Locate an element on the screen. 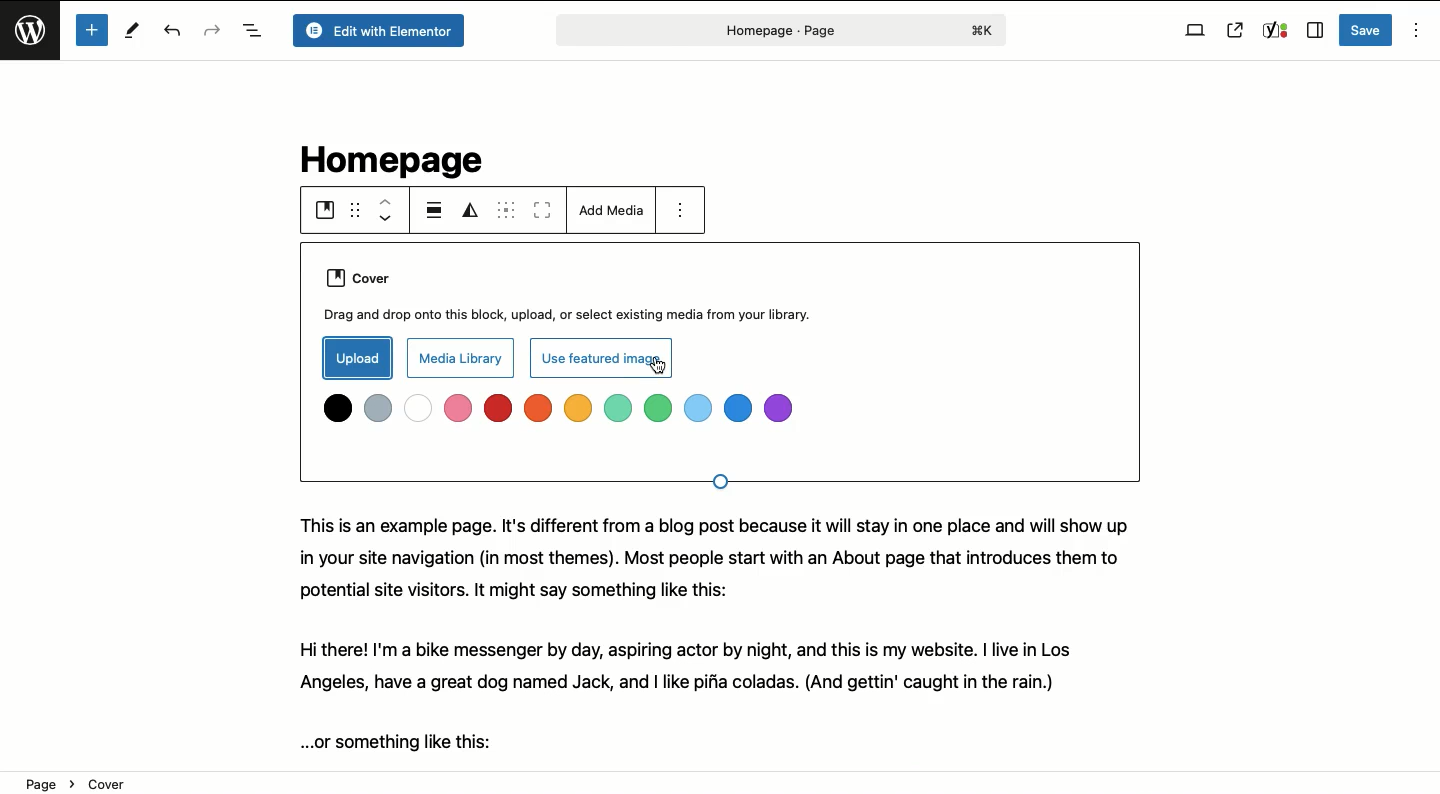 The width and height of the screenshot is (1440, 794). Toggle full height is located at coordinates (544, 210).